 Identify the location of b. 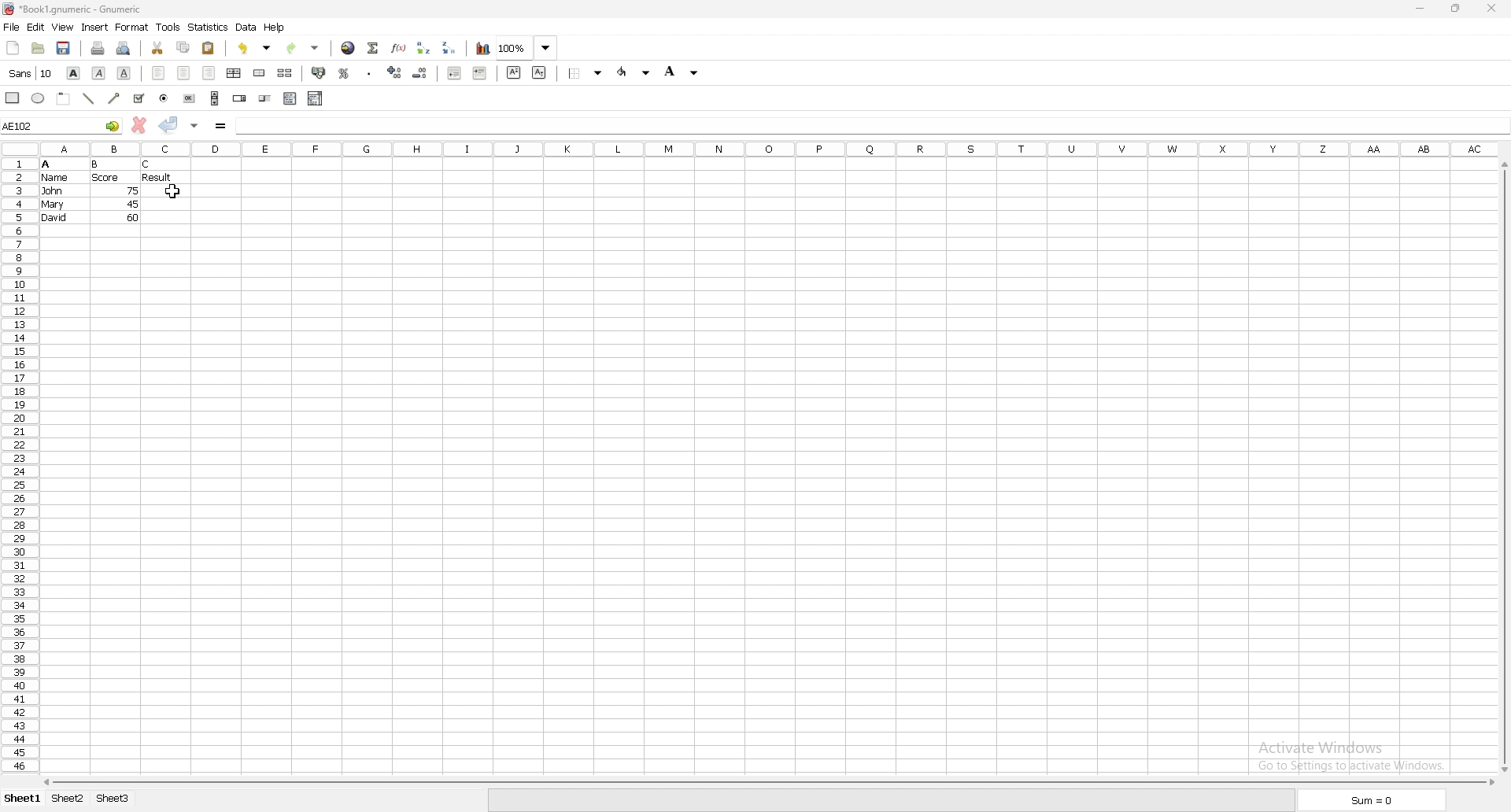
(95, 164).